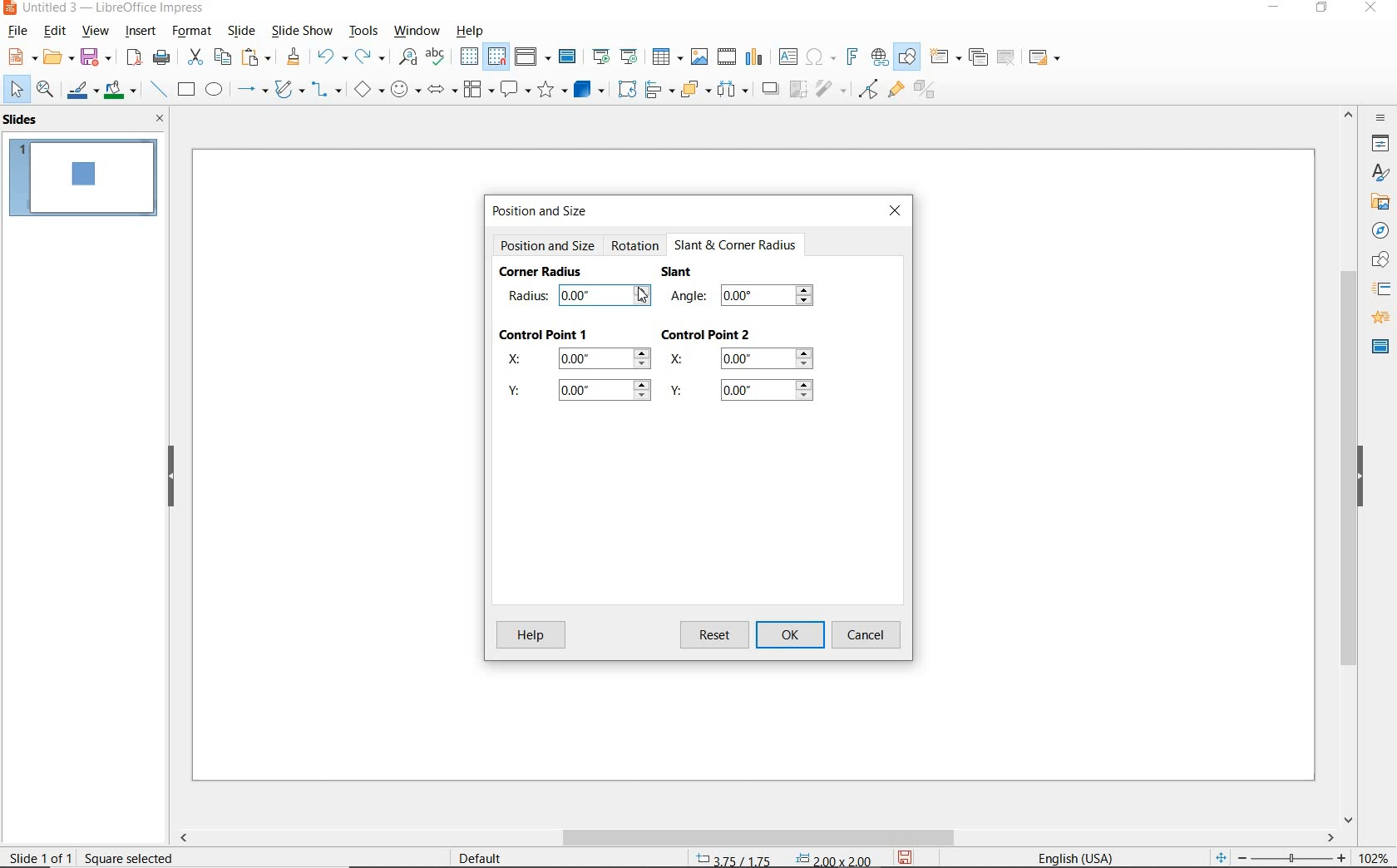 The width and height of the screenshot is (1397, 868). Describe the element at coordinates (122, 90) in the screenshot. I see `fill color` at that location.